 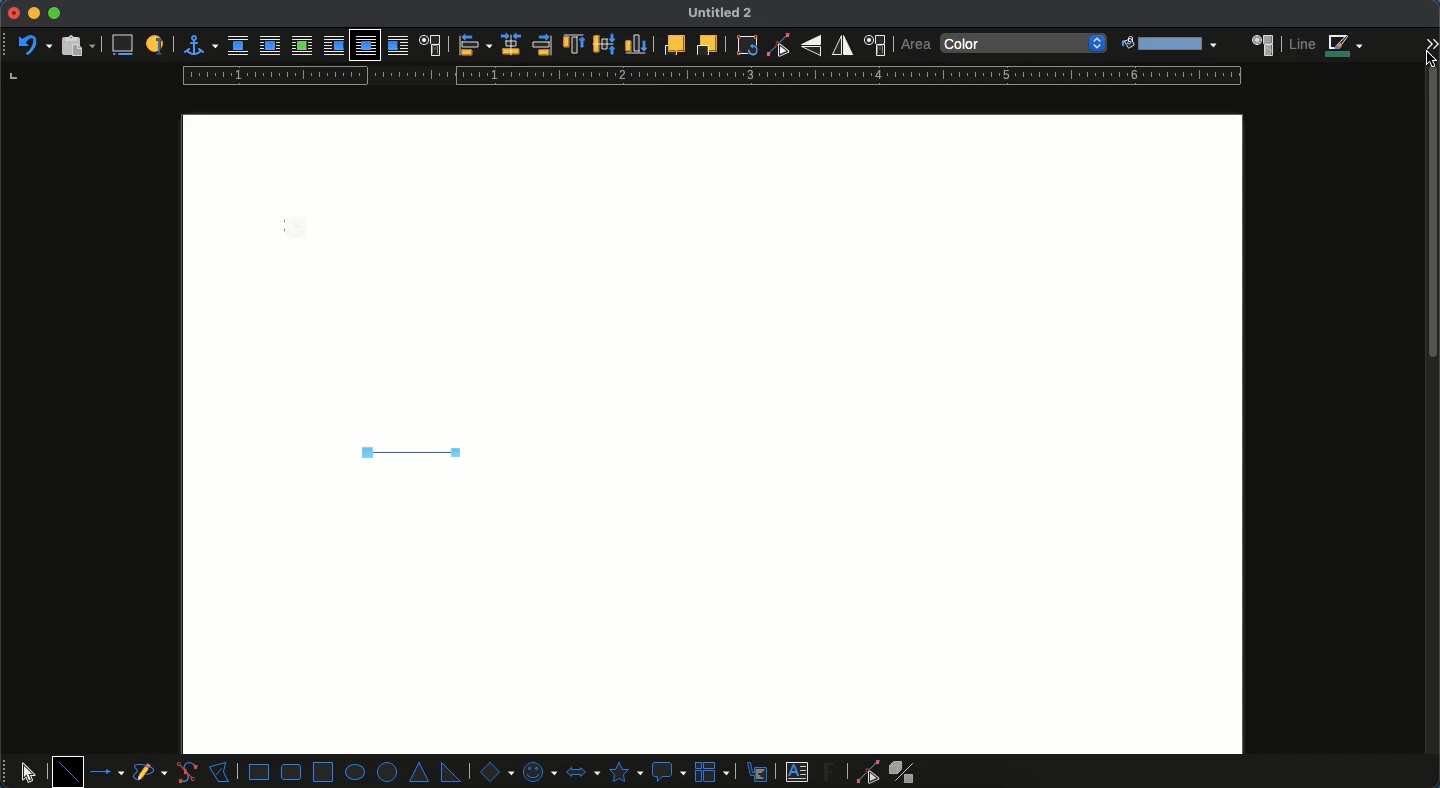 What do you see at coordinates (397, 45) in the screenshot?
I see `after` at bounding box center [397, 45].